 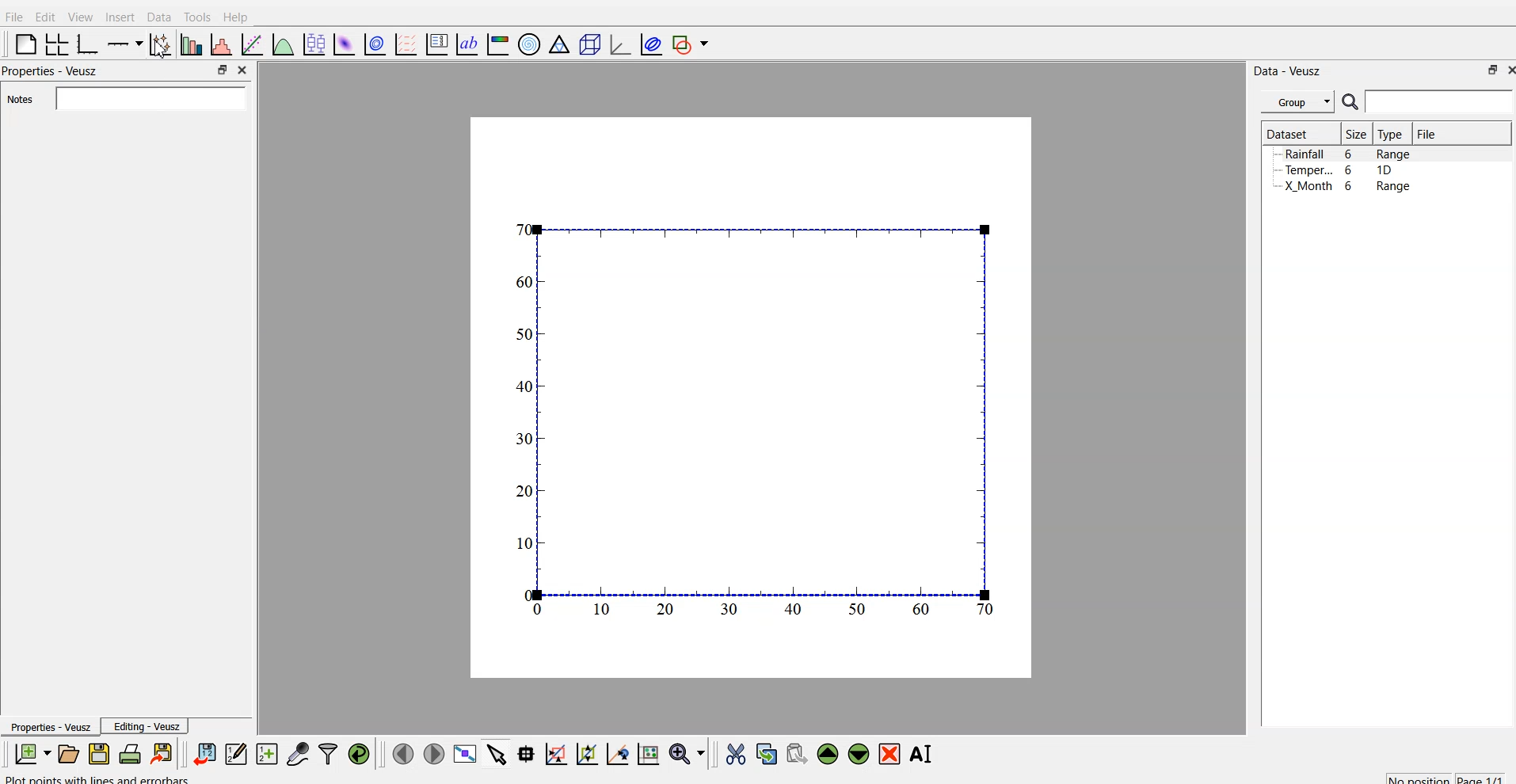 What do you see at coordinates (524, 753) in the screenshot?
I see `read datapoint on graph` at bounding box center [524, 753].